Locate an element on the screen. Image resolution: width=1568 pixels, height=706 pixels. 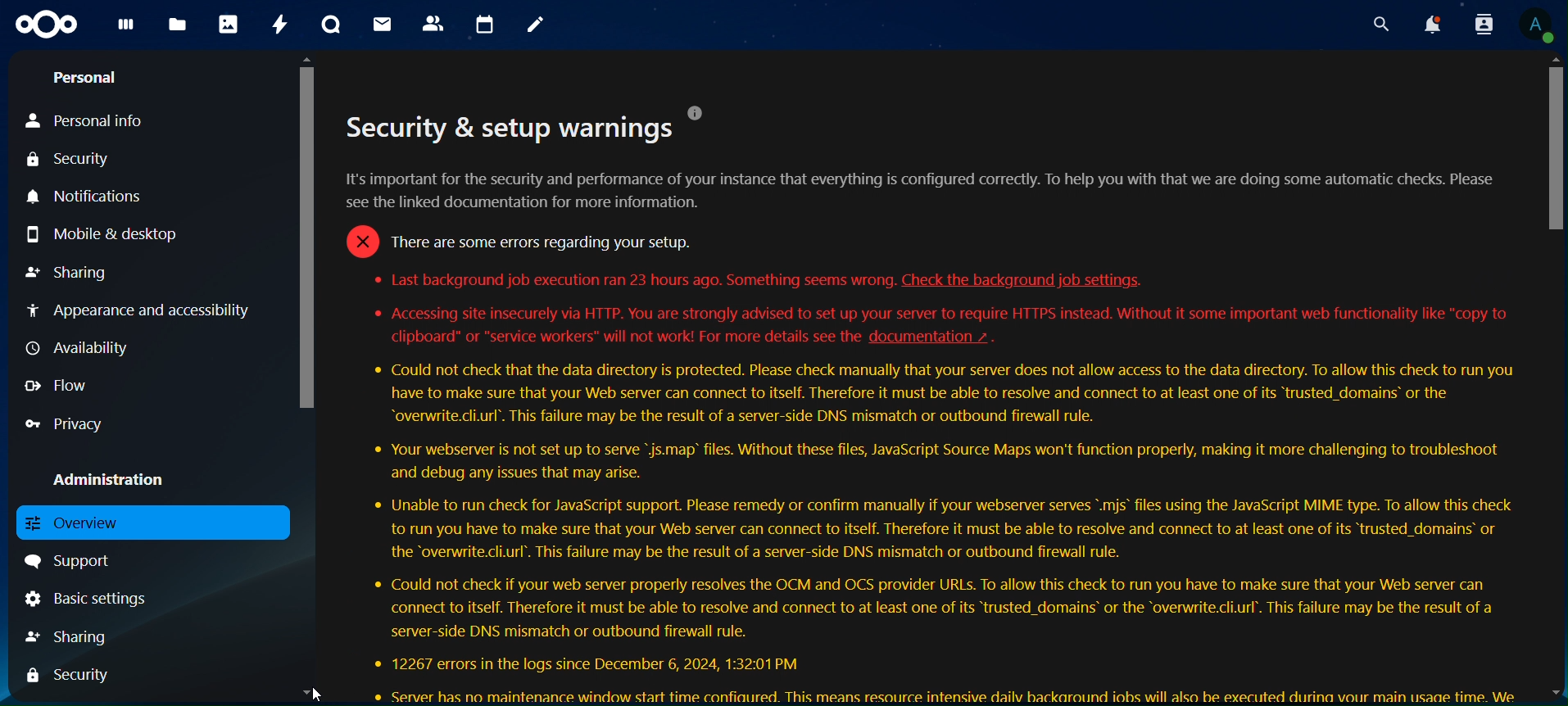
* Your webserver is not set up to serve "js.map’ files. Without these files, JavaScript Source Maps won't function properly, making it more challenging to troubleshoot
and debug any issues that may arise. is located at coordinates (934, 461).